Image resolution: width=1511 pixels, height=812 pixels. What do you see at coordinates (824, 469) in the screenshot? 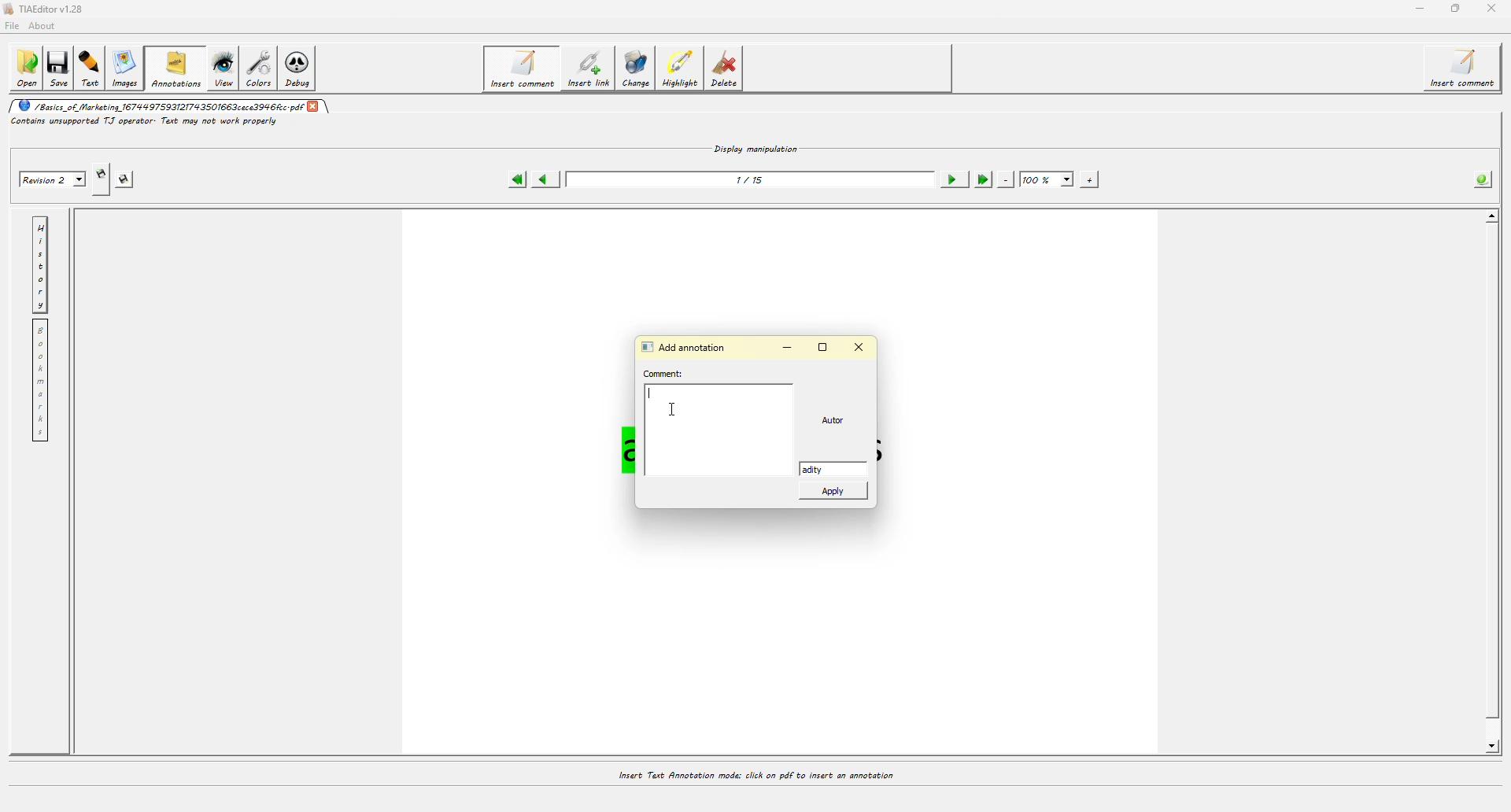
I see `adity` at bounding box center [824, 469].